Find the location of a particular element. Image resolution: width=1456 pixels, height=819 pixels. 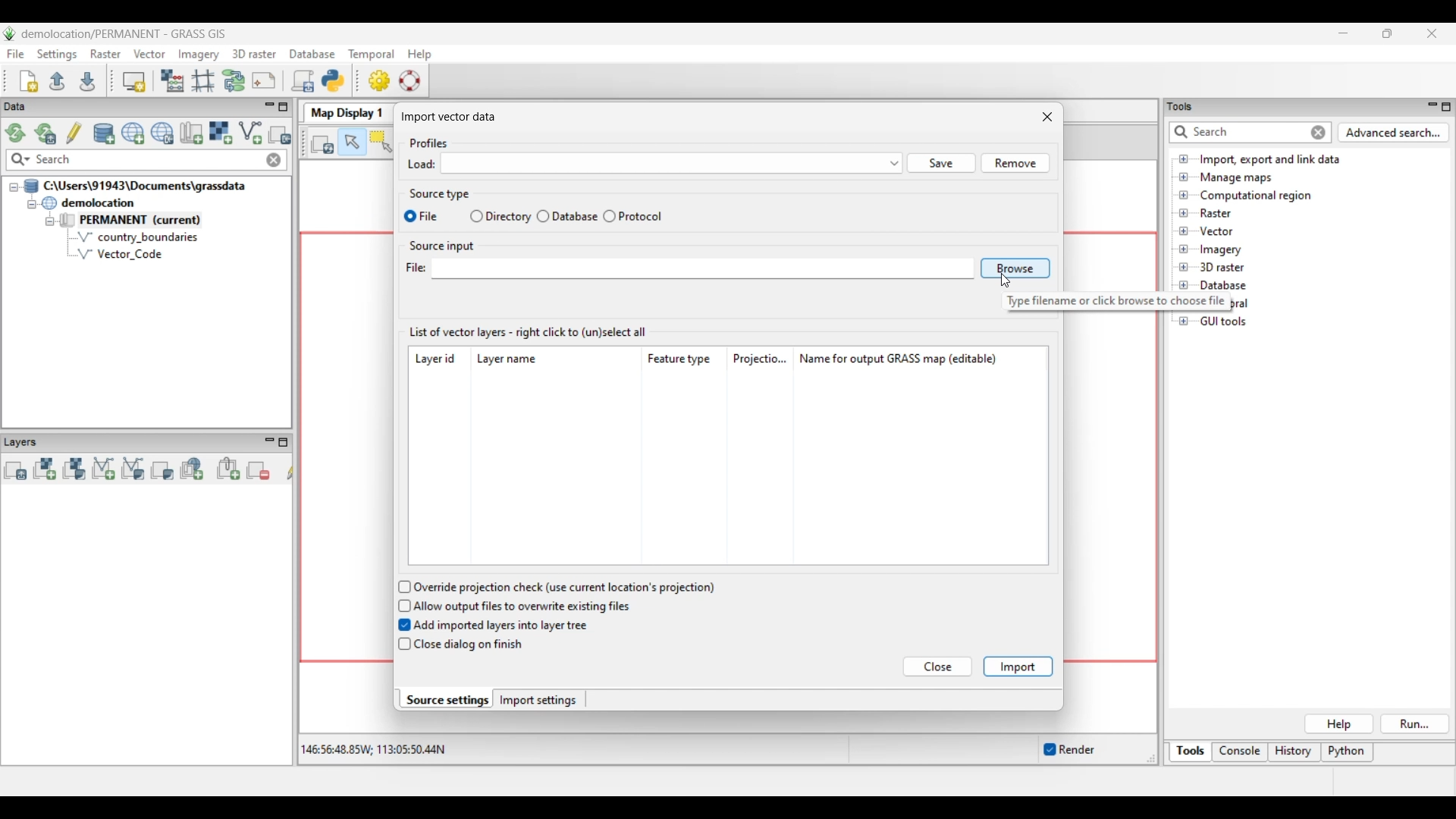

Allow output files to overwrite existing files is located at coordinates (524, 606).